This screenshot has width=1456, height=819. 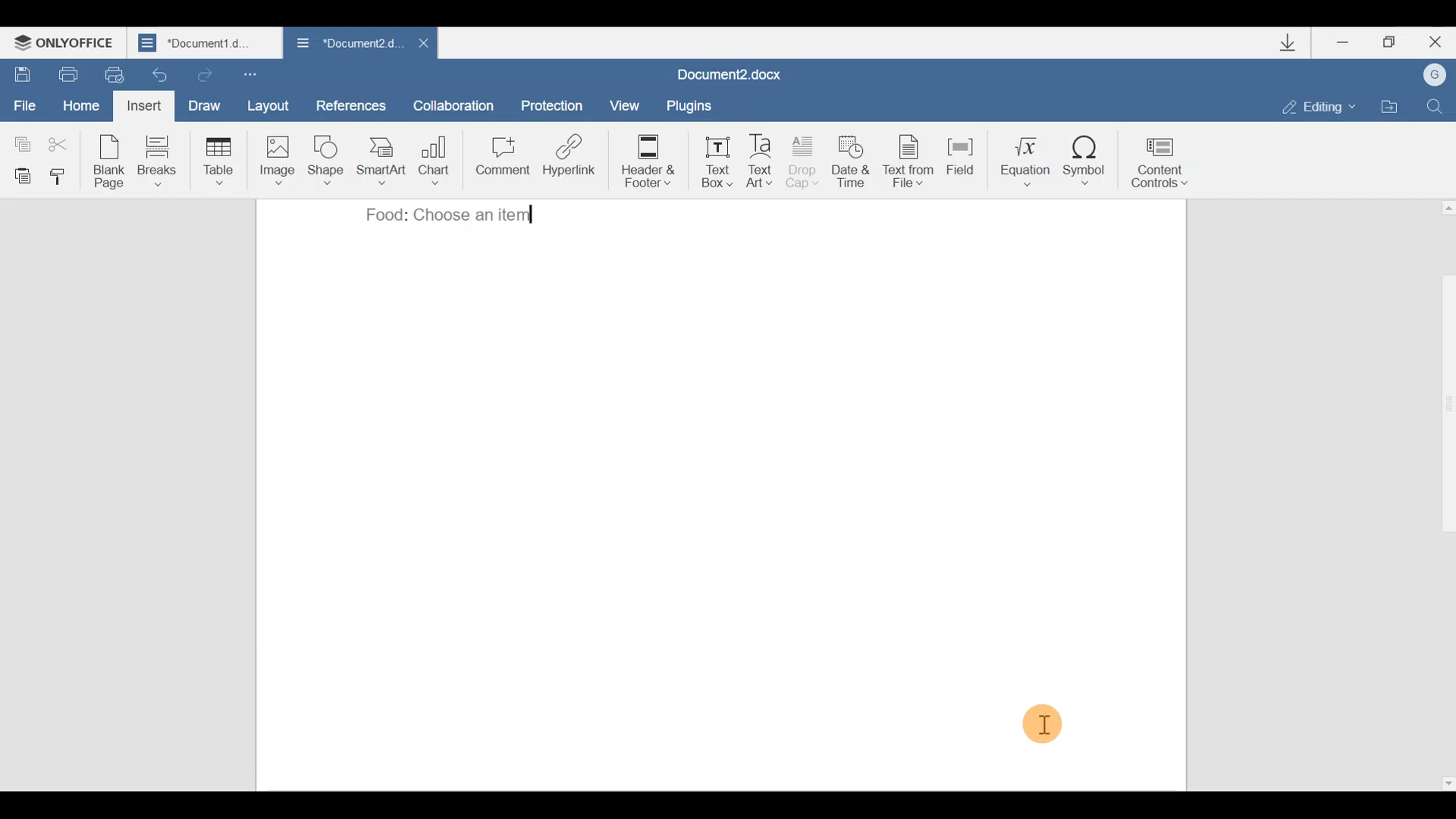 I want to click on Date & time, so click(x=851, y=158).